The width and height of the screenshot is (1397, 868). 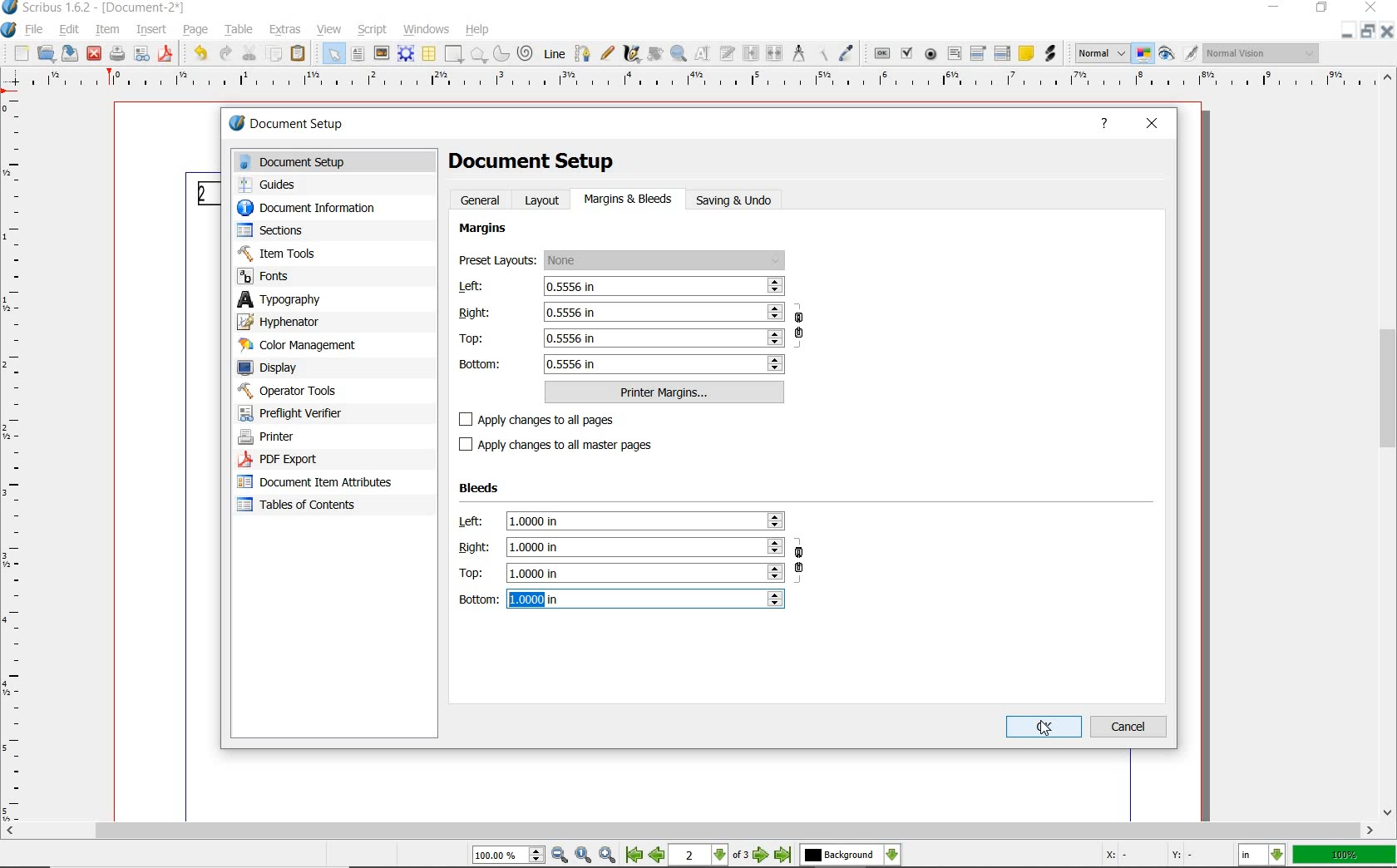 I want to click on copy, so click(x=274, y=55).